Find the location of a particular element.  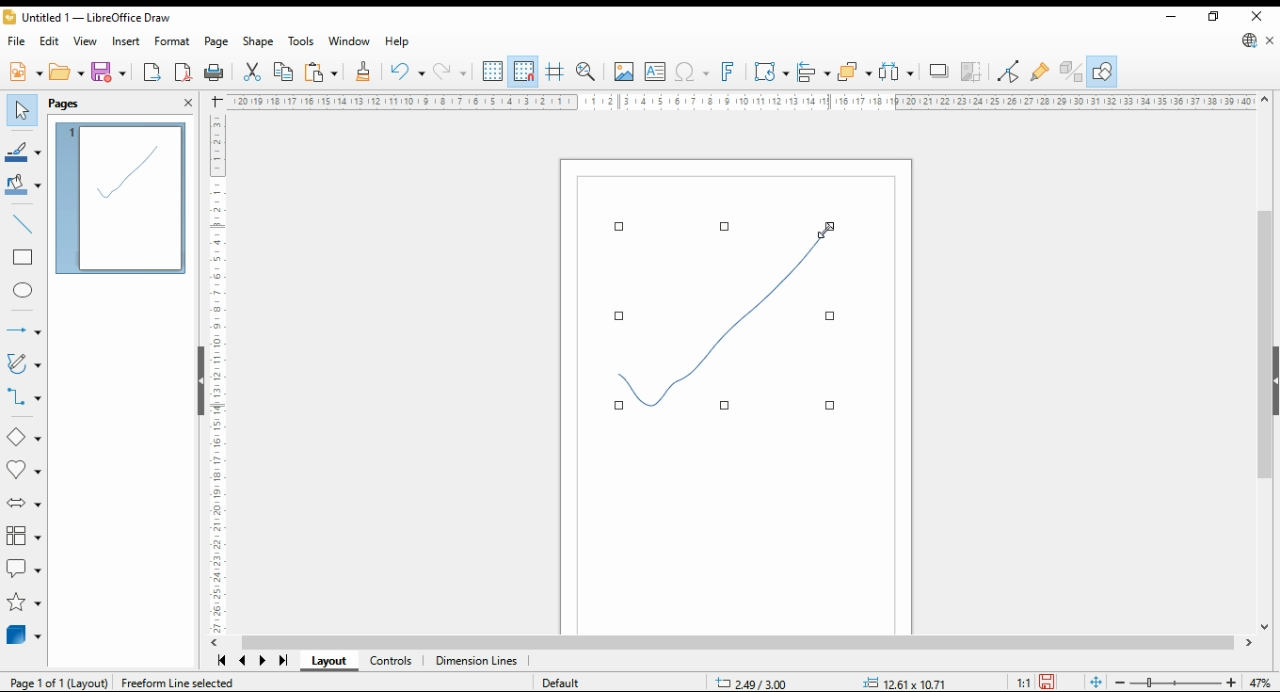

open  is located at coordinates (66, 73).